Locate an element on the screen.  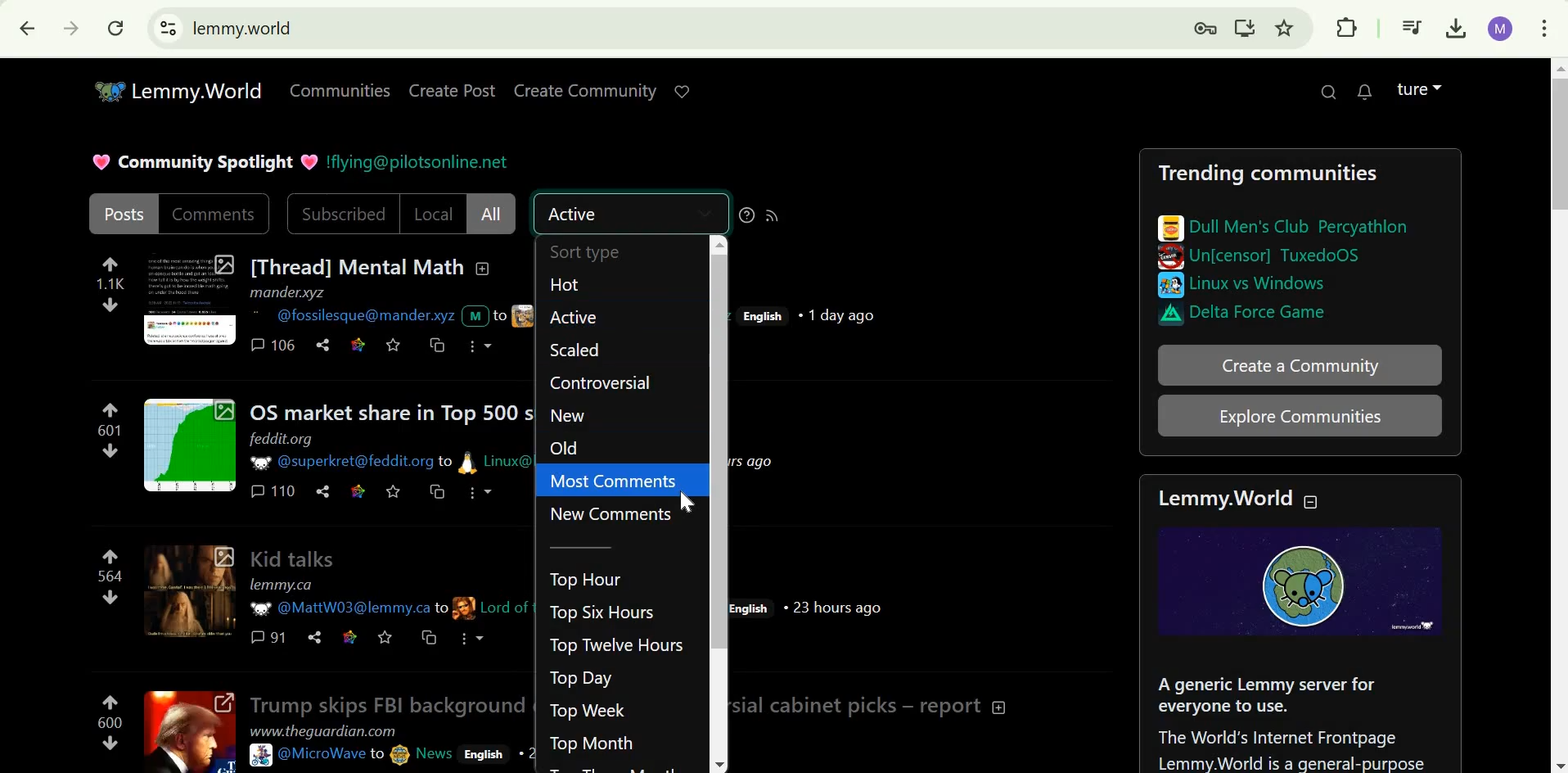
Create post is located at coordinates (453, 91).